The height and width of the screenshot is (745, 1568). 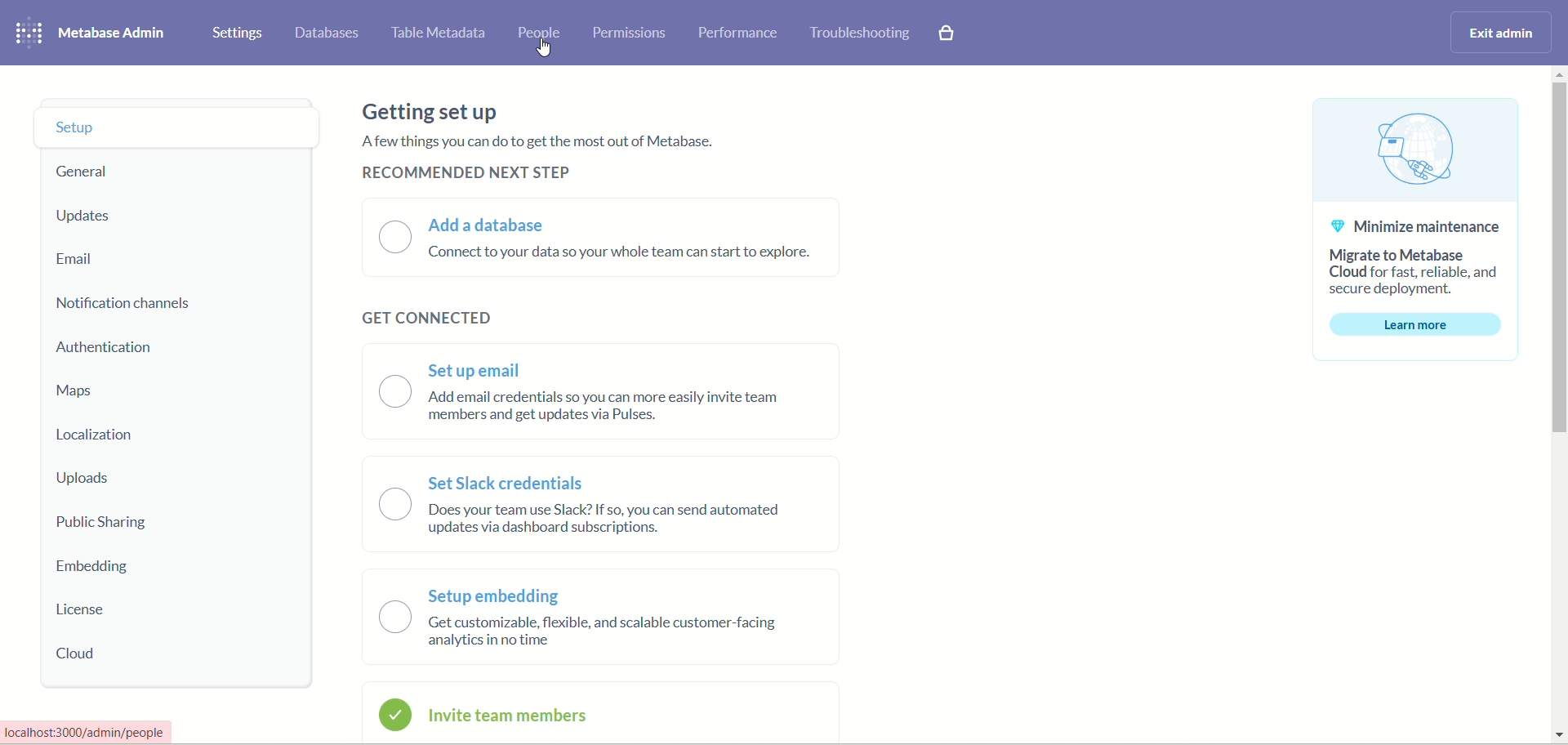 I want to click on set up email, so click(x=483, y=372).